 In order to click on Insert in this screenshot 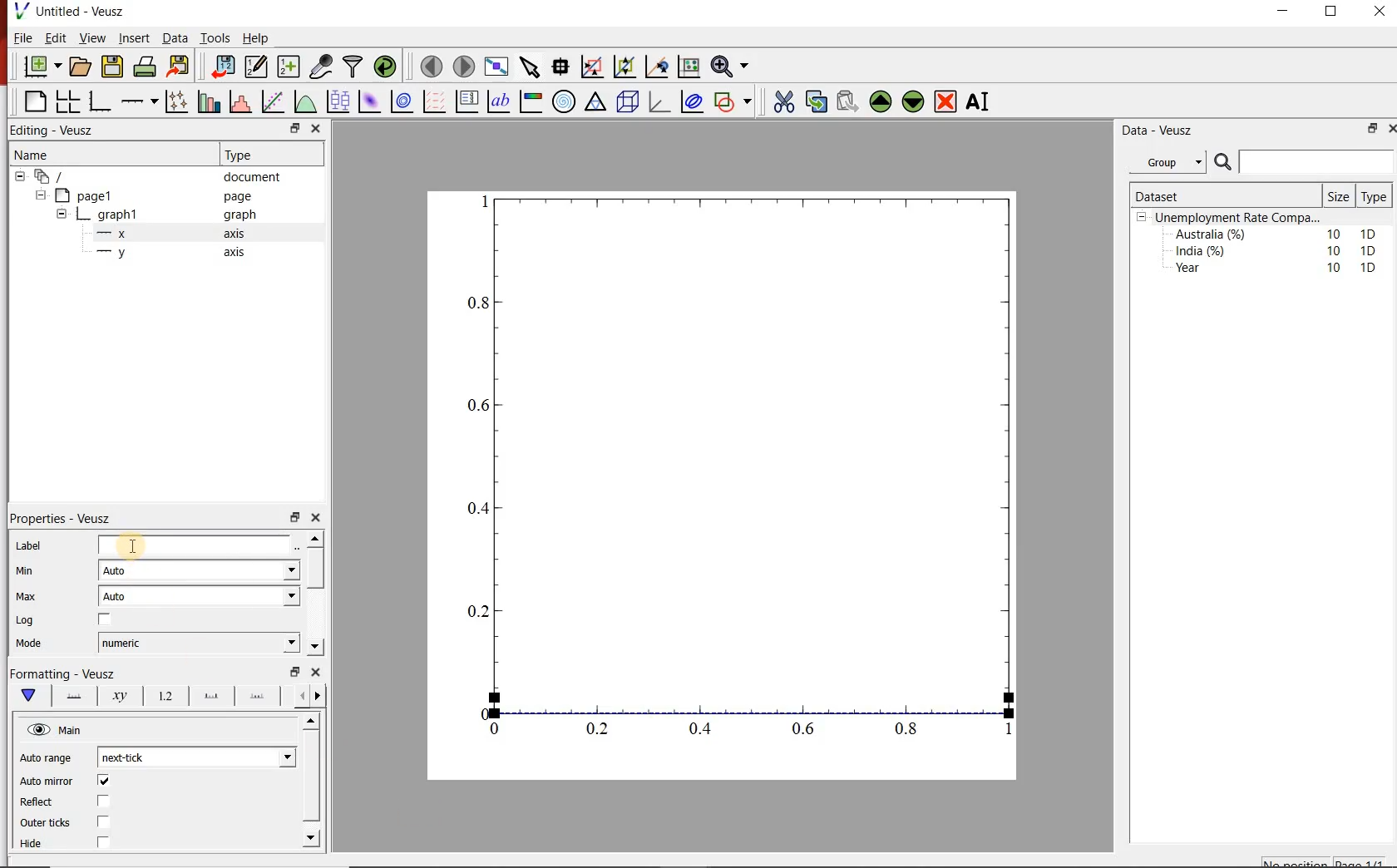, I will do `click(133, 37)`.